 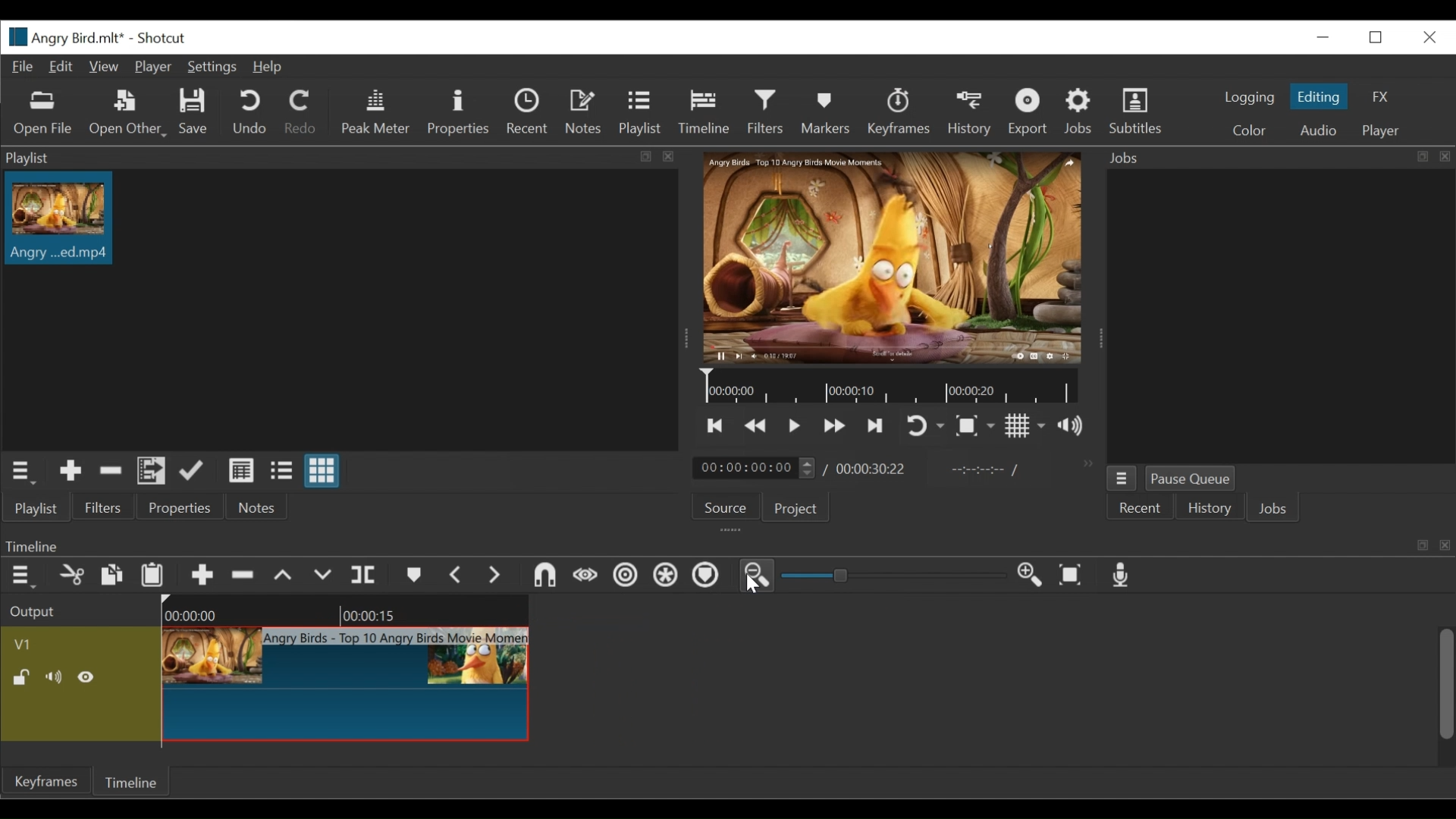 I want to click on View as files, so click(x=283, y=470).